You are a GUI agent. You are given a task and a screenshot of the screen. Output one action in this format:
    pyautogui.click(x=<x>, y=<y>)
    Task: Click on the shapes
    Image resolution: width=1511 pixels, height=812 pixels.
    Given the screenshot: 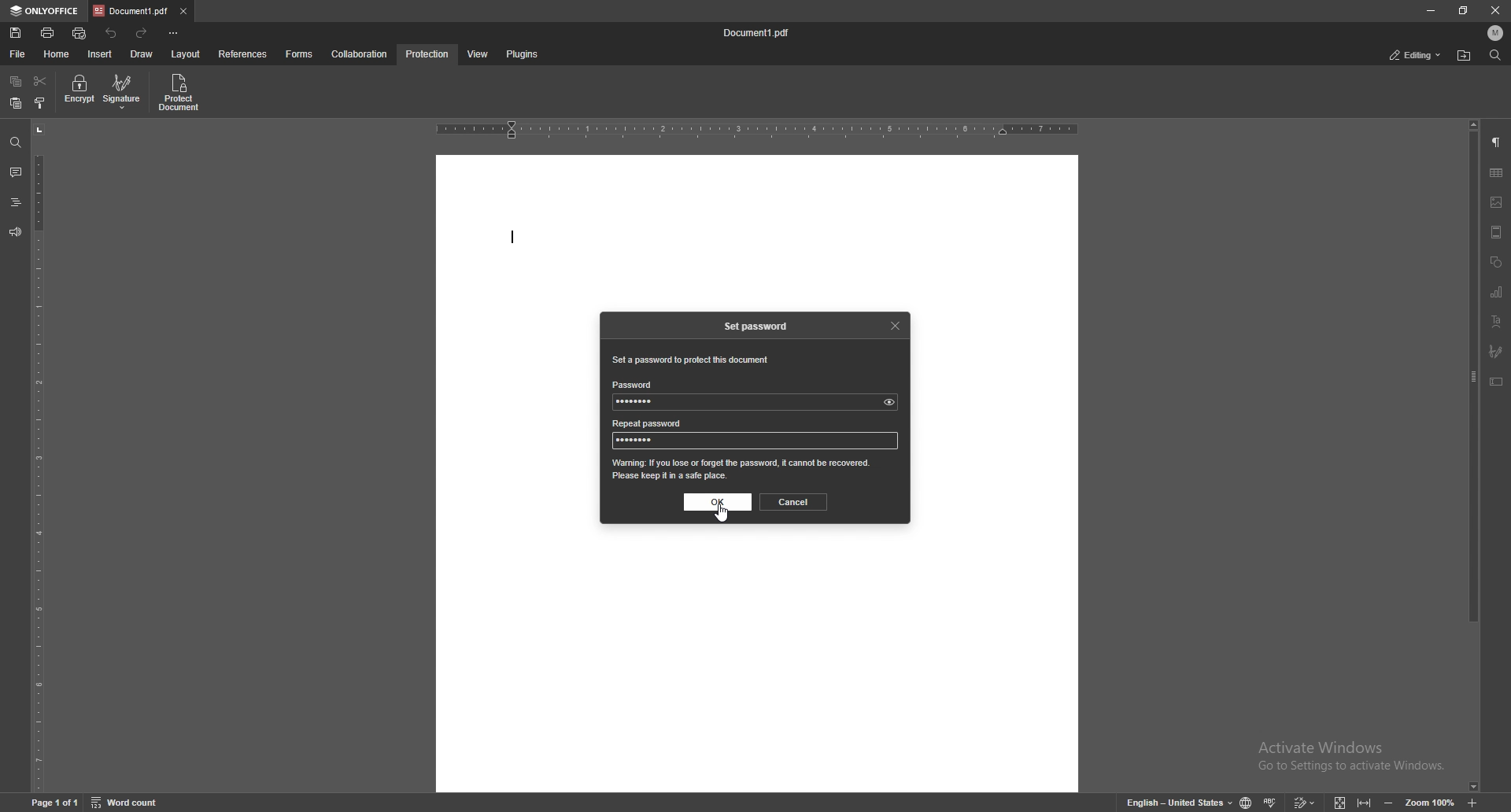 What is the action you would take?
    pyautogui.click(x=1496, y=262)
    